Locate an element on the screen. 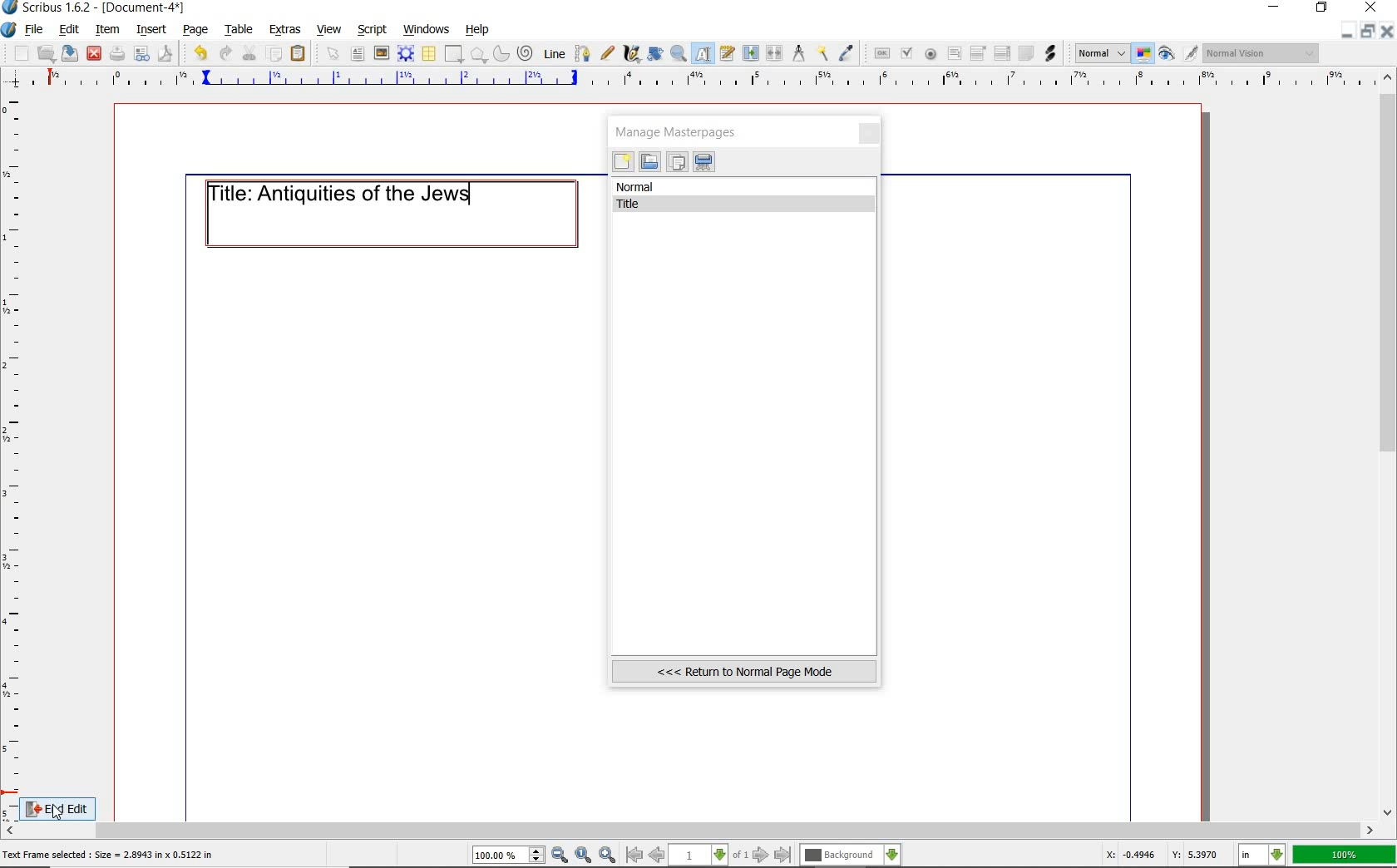 The width and height of the screenshot is (1397, 868). polygon is located at coordinates (478, 56).